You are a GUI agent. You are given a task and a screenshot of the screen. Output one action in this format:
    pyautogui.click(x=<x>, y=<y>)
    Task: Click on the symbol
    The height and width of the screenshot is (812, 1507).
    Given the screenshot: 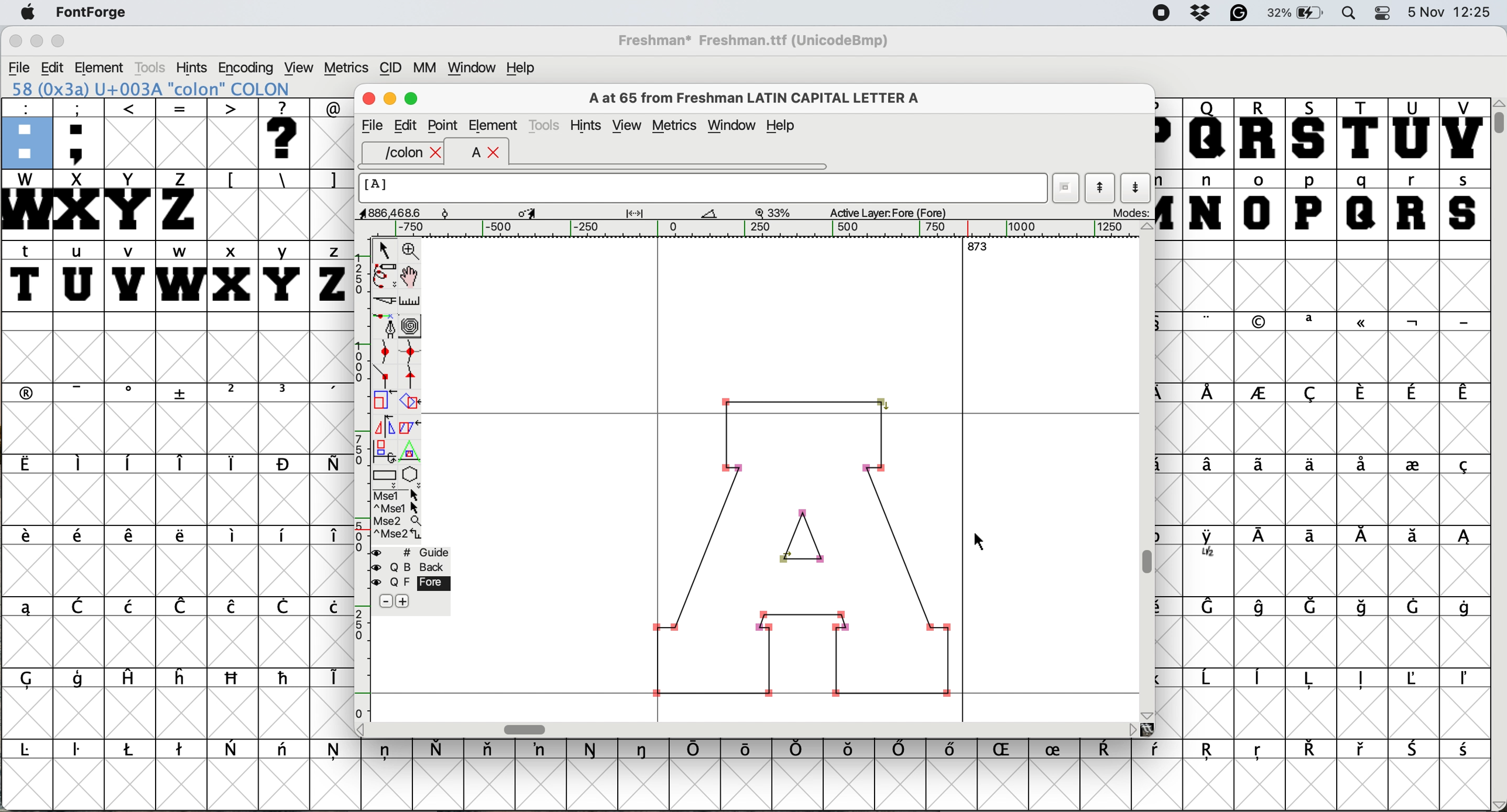 What is the action you would take?
    pyautogui.click(x=130, y=393)
    